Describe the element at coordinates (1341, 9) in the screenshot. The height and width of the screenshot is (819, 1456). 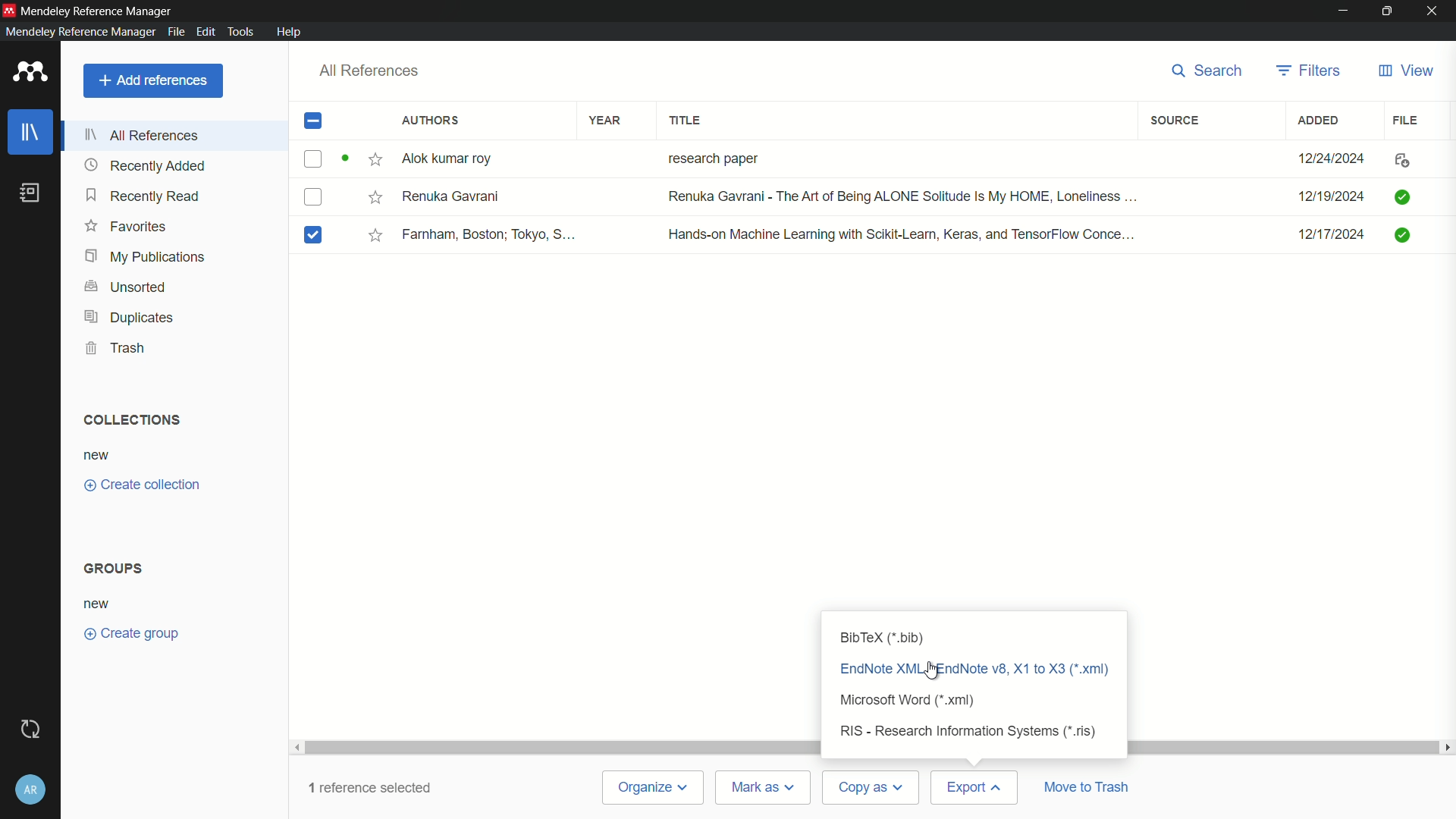
I see `minimize` at that location.